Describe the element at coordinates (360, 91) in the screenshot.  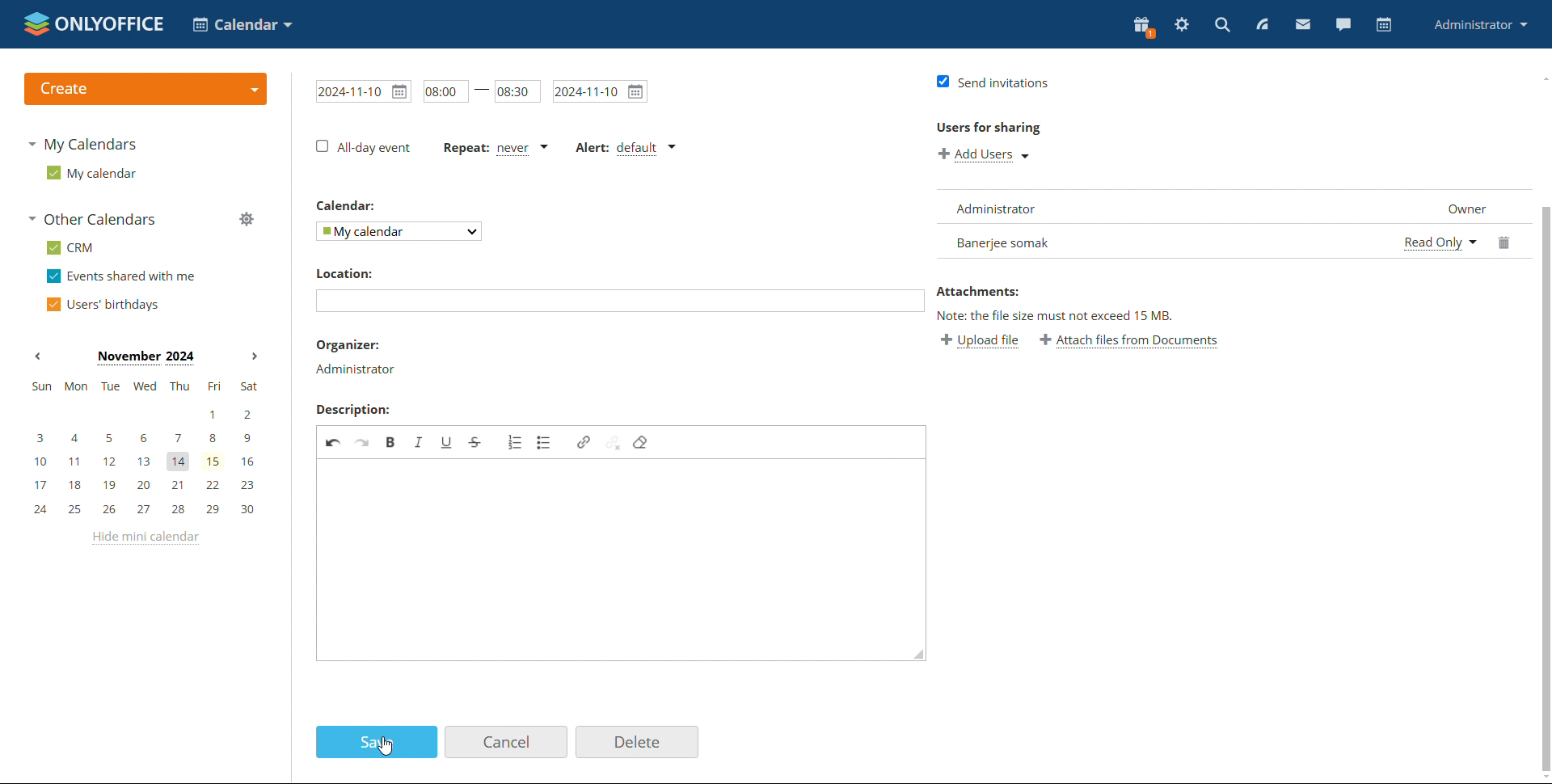
I see `start date` at that location.